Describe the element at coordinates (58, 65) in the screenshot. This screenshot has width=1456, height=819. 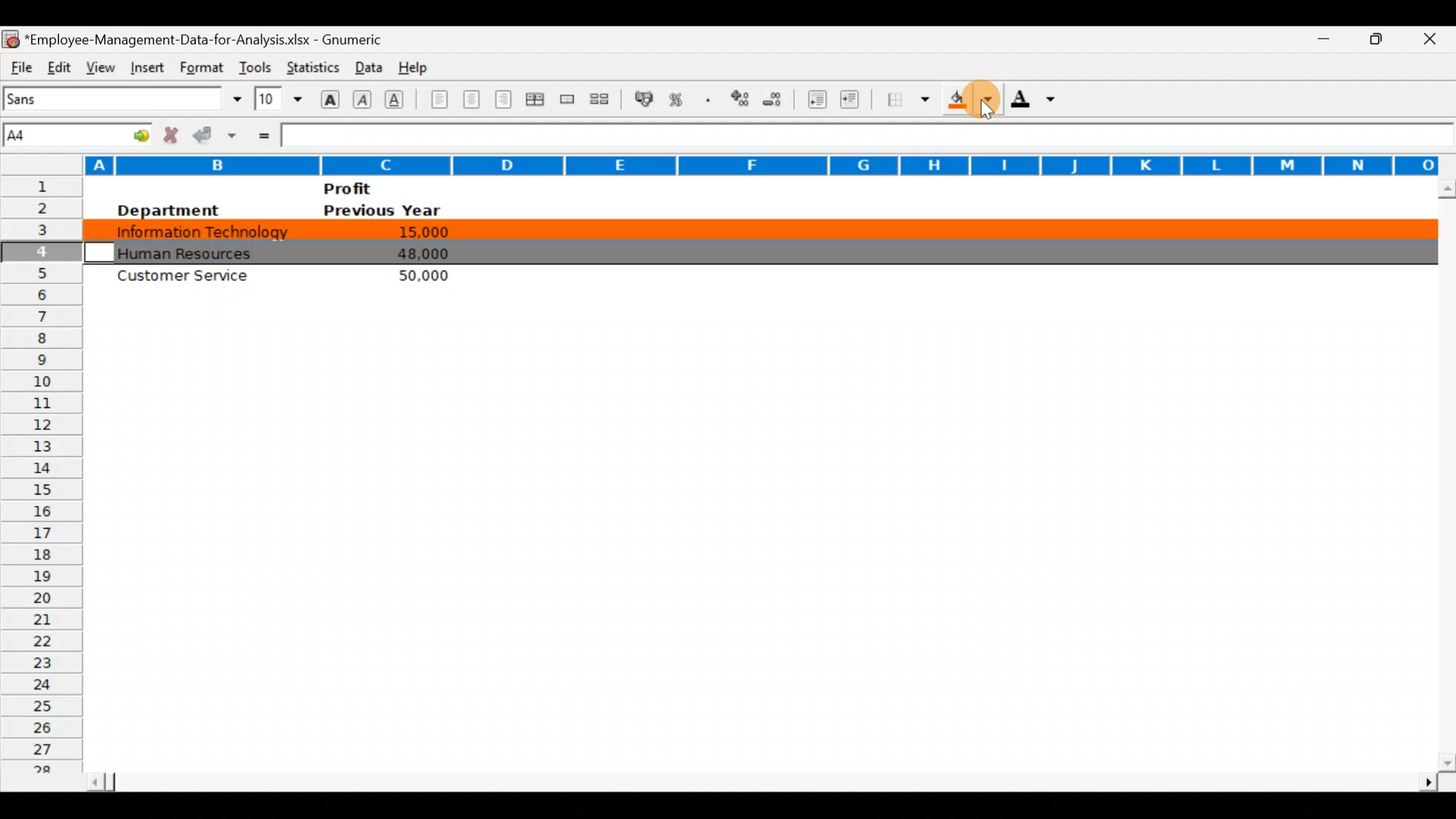
I see `Edit` at that location.